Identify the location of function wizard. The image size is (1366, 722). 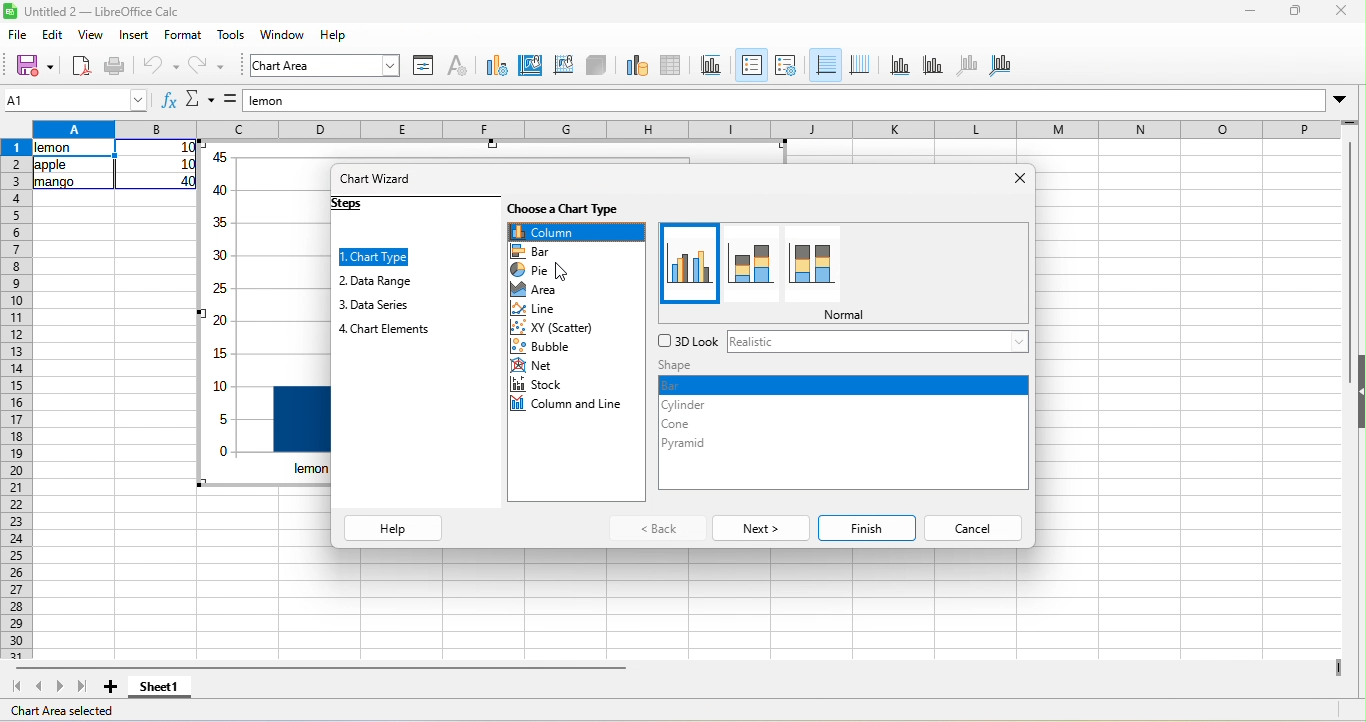
(167, 101).